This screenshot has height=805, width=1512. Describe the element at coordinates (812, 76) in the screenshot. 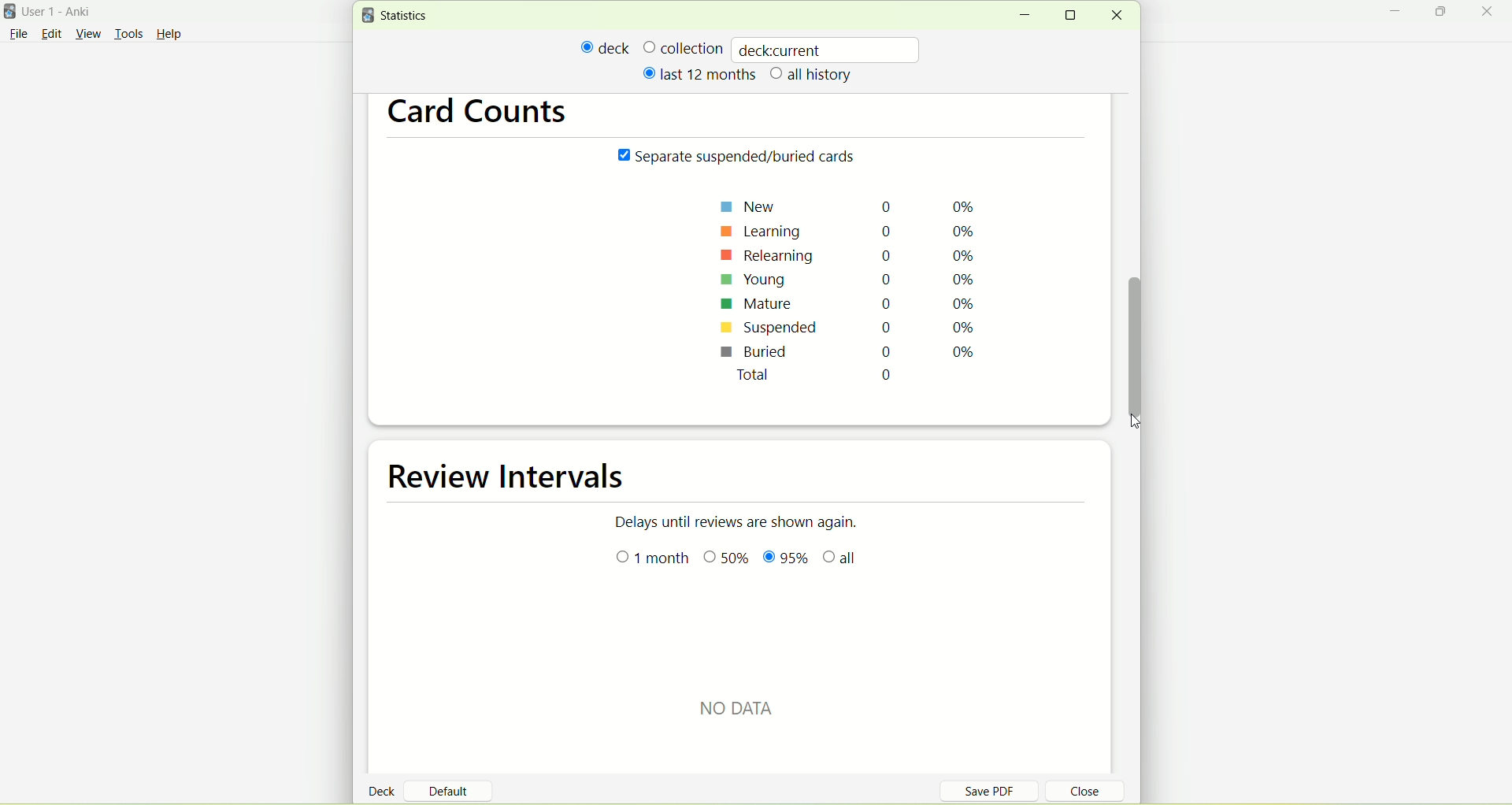

I see `all history` at that location.